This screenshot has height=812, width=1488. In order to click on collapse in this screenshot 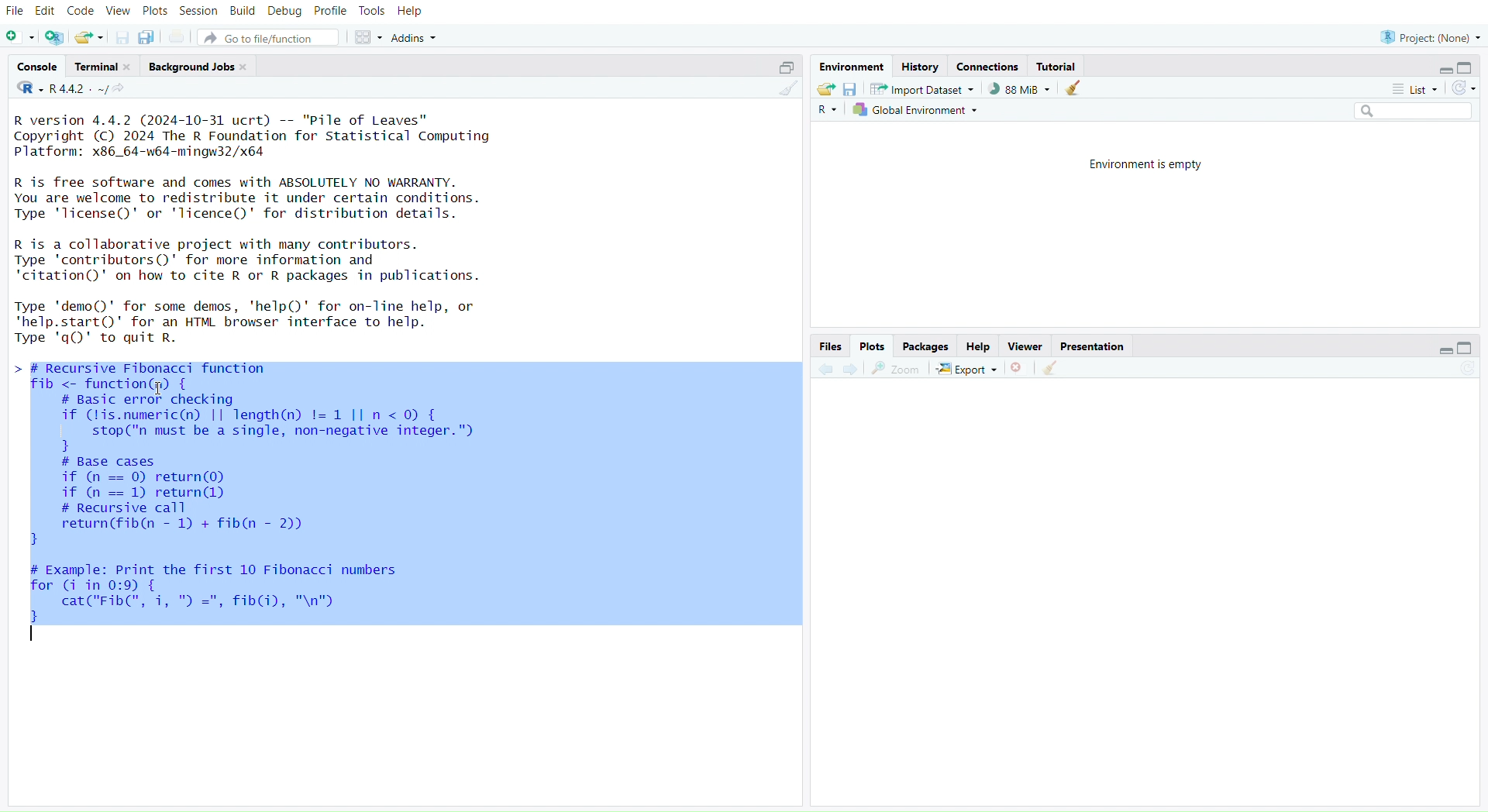, I will do `click(1469, 67)`.